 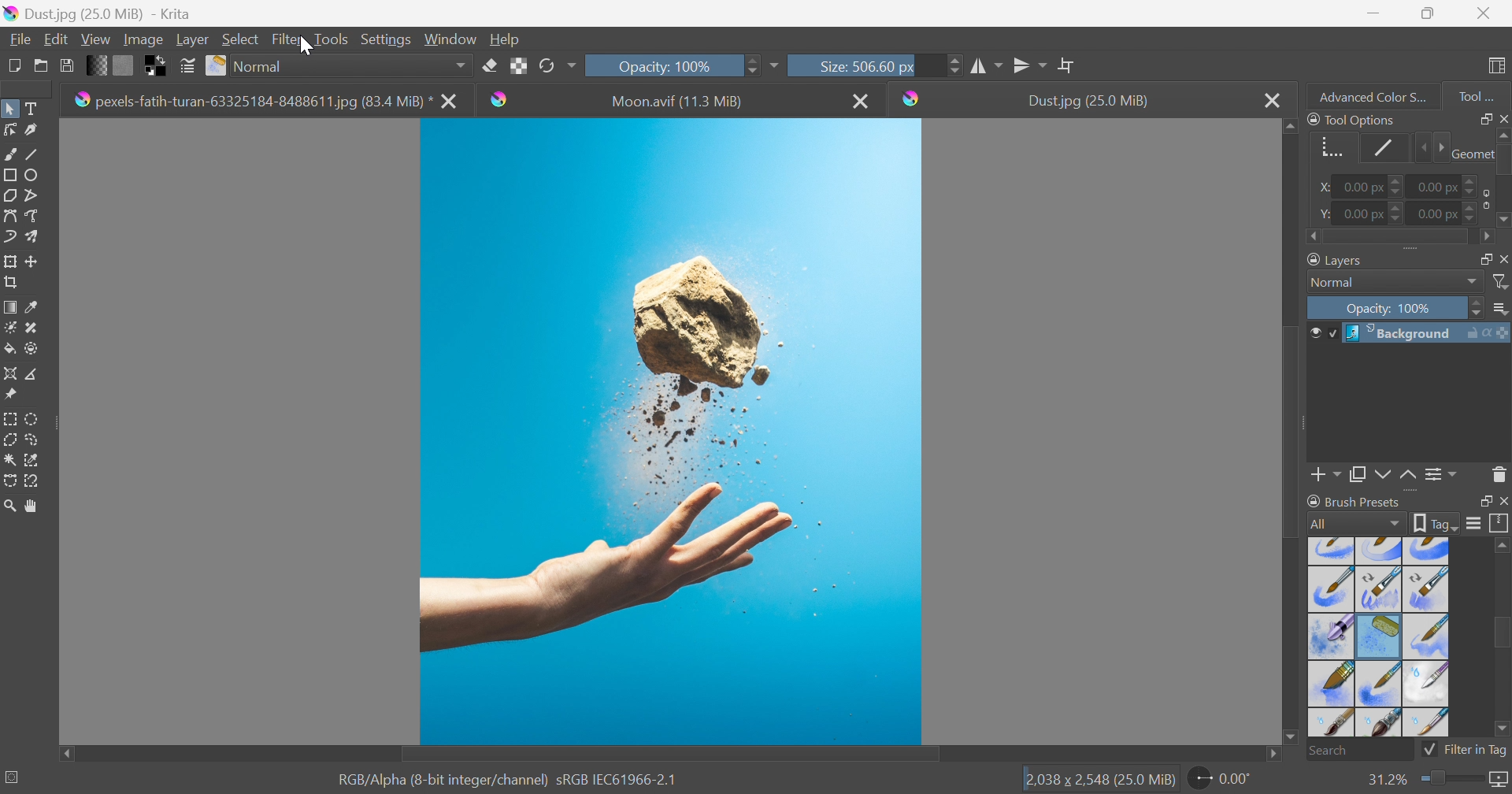 I want to click on 0.00 px, so click(x=1364, y=214).